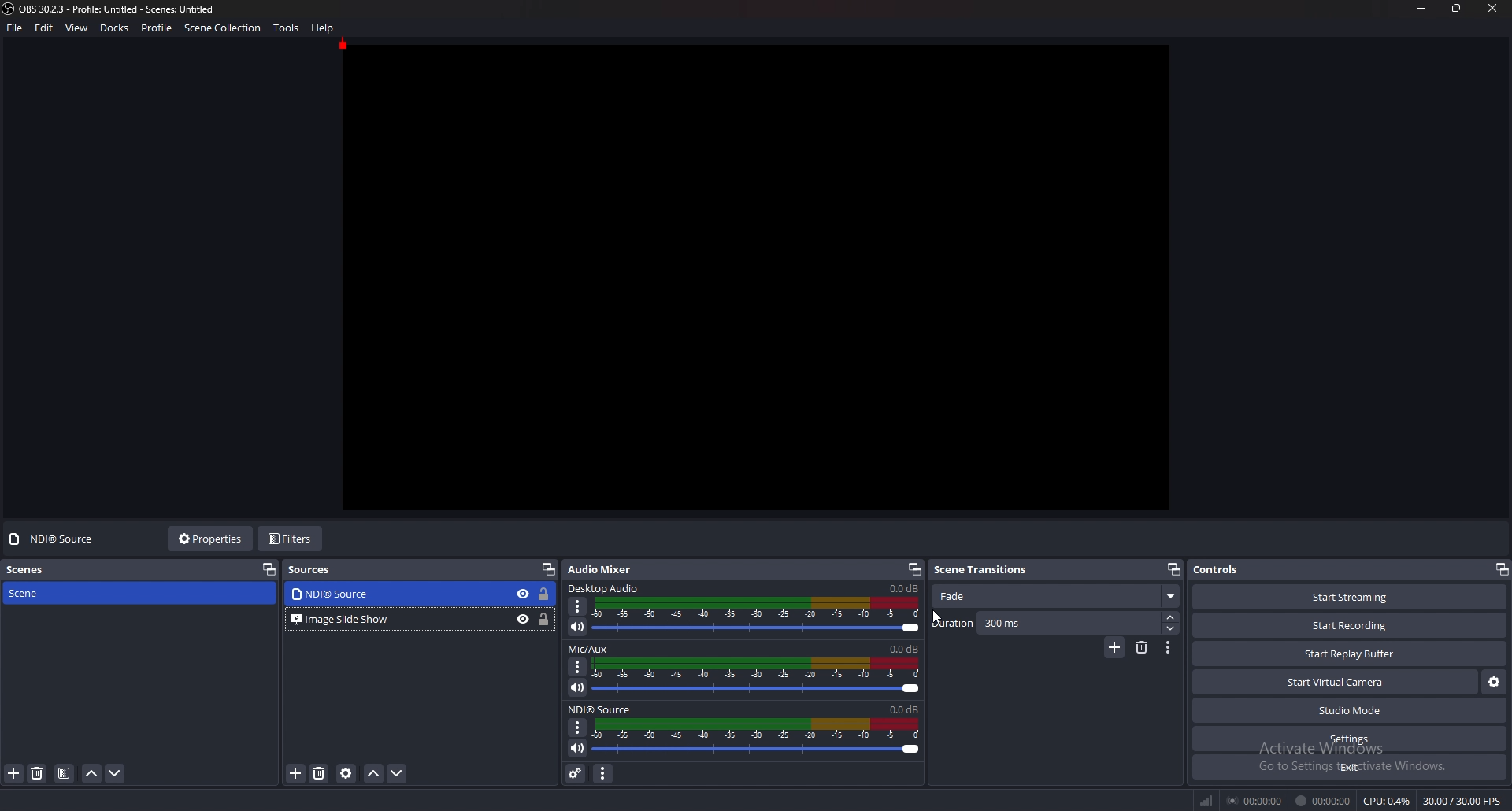 The height and width of the screenshot is (811, 1512). I want to click on source properties, so click(346, 773).